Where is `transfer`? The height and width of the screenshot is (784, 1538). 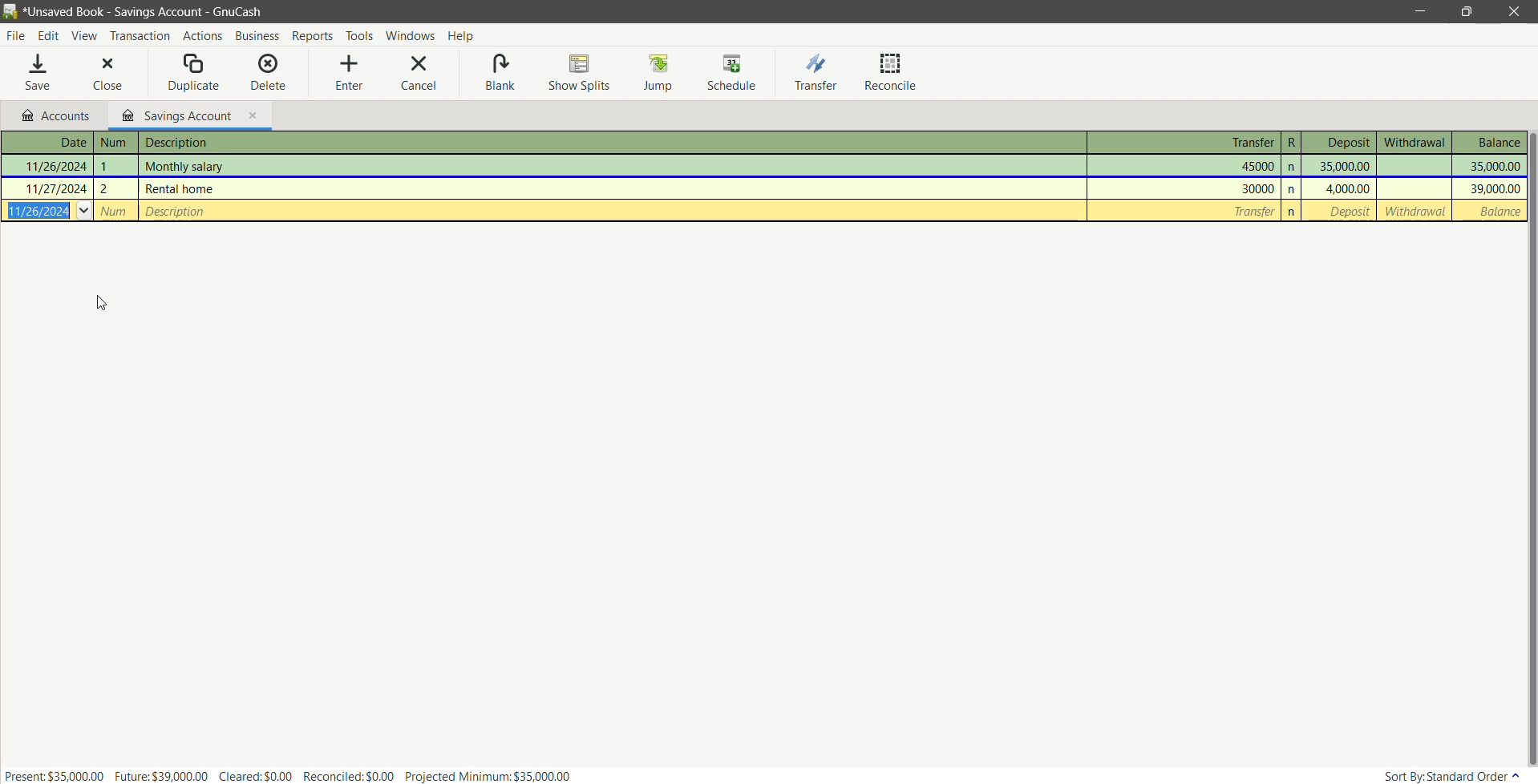 transfer is located at coordinates (1186, 209).